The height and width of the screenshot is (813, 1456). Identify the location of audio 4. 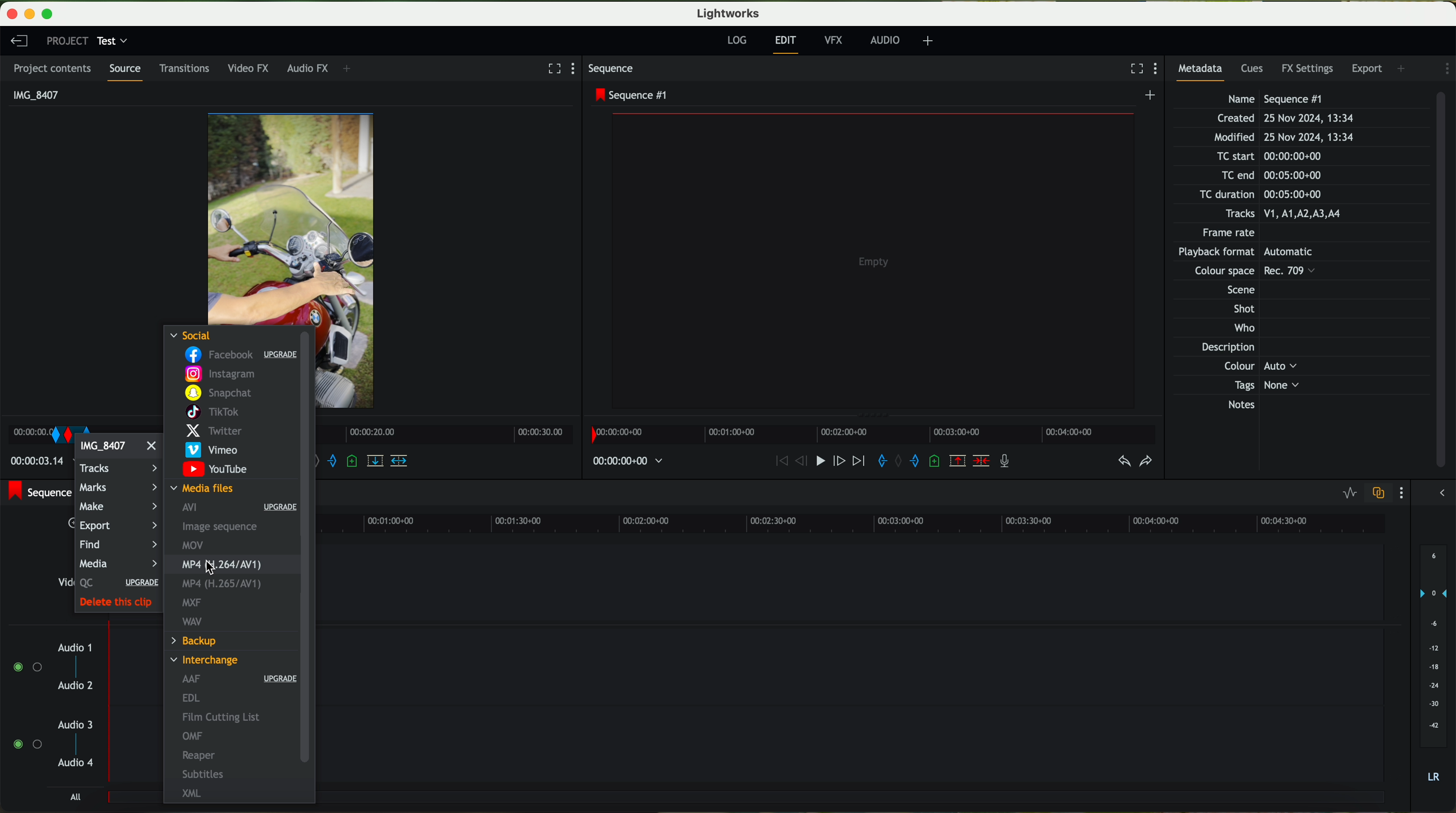
(76, 766).